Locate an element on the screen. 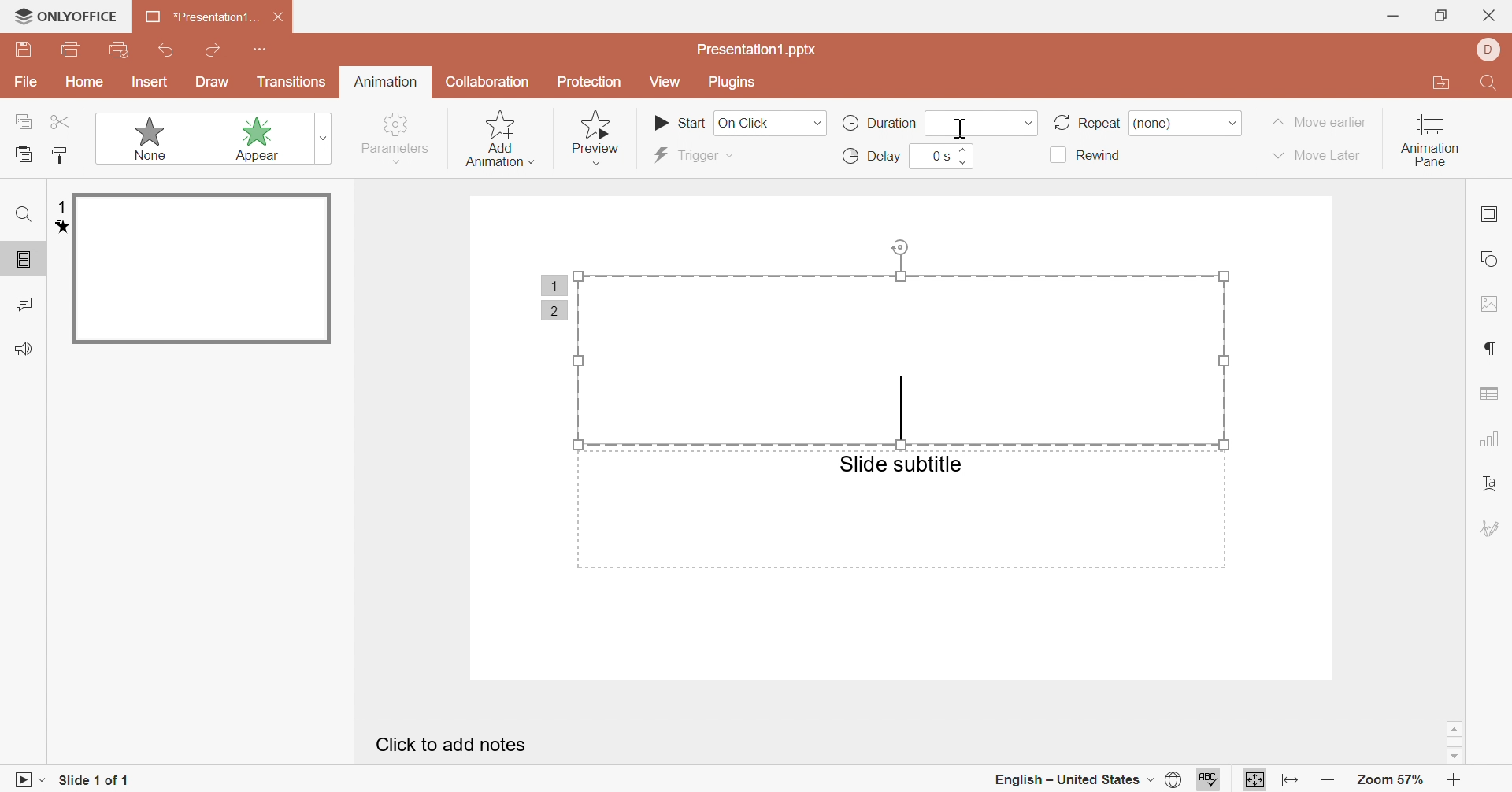 This screenshot has width=1512, height=792. animation is located at coordinates (57, 228).